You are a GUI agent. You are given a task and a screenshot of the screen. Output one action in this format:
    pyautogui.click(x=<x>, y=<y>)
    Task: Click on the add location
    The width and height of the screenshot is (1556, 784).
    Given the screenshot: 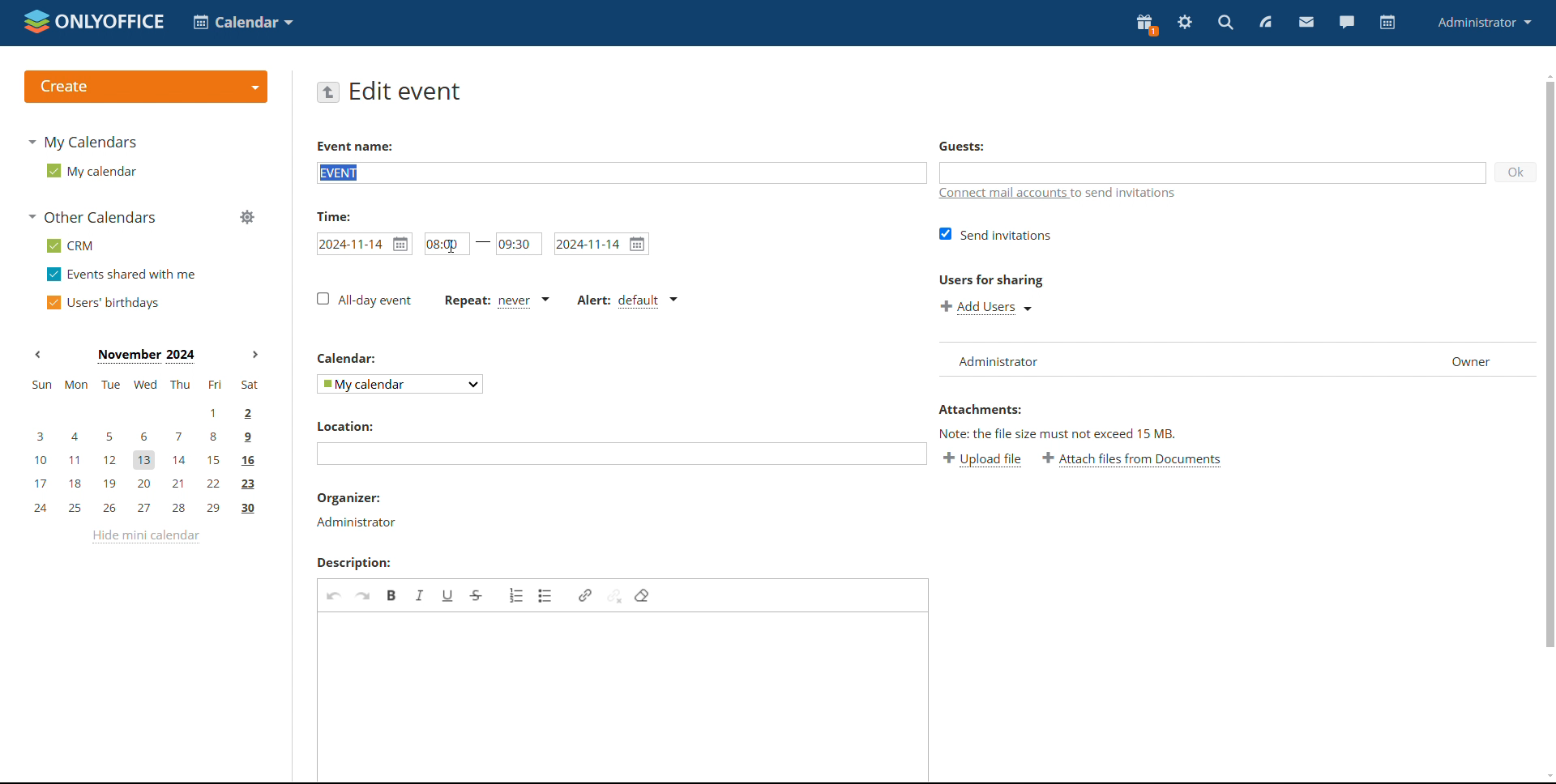 What is the action you would take?
    pyautogui.click(x=622, y=454)
    